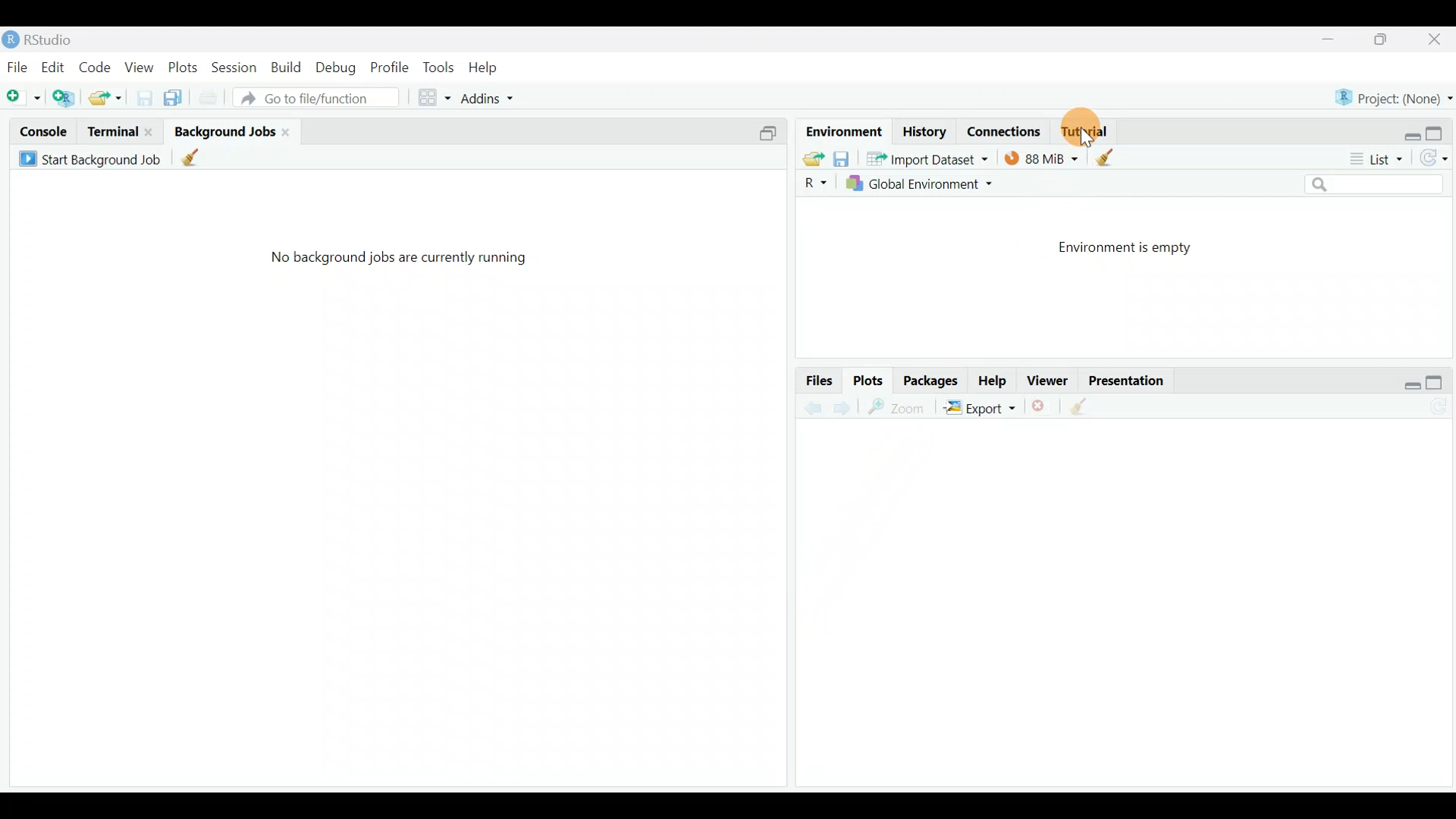 The image size is (1456, 819). I want to click on Save all open documents, so click(174, 99).